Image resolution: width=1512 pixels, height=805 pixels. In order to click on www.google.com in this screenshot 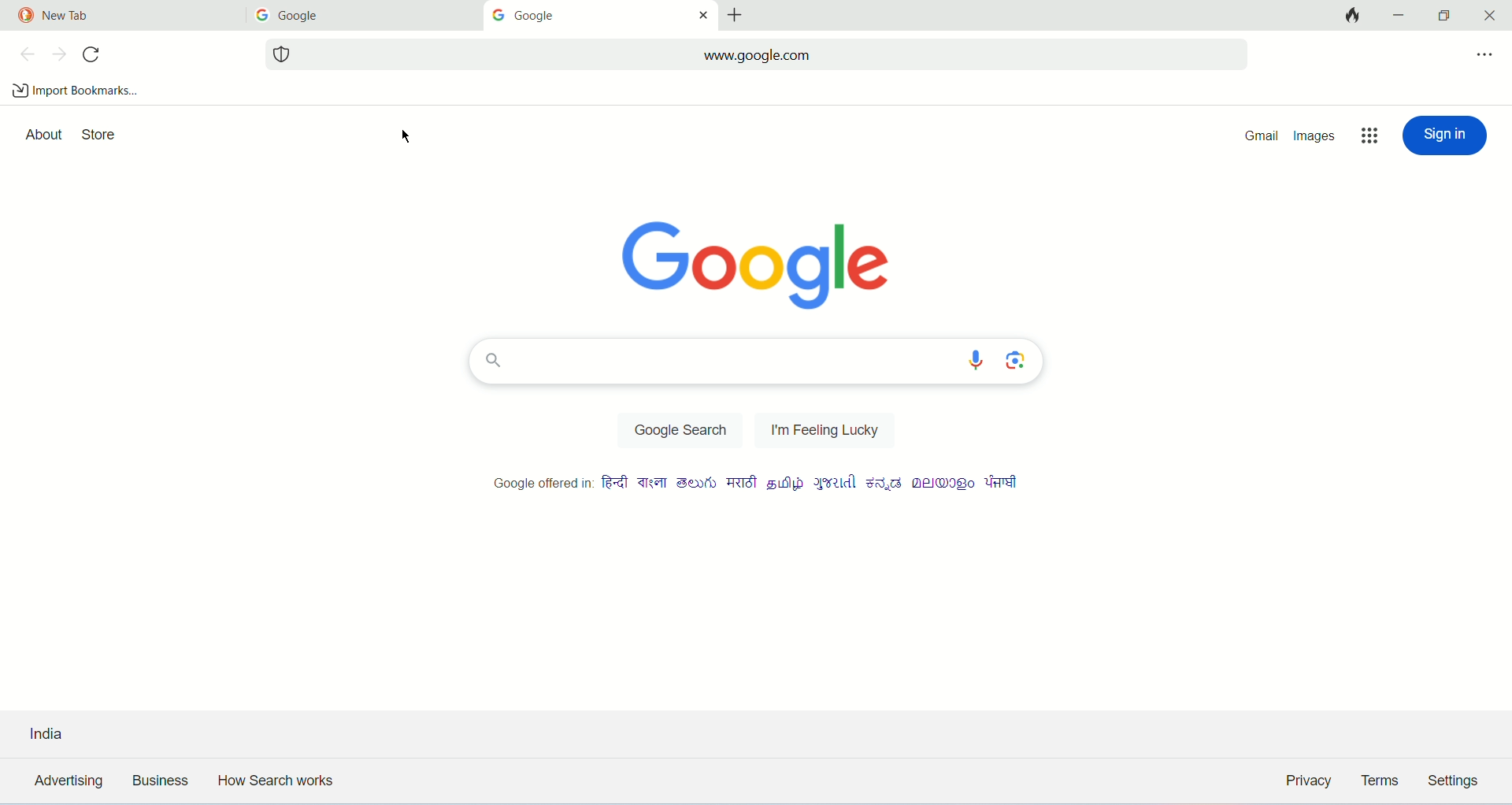, I will do `click(780, 55)`.